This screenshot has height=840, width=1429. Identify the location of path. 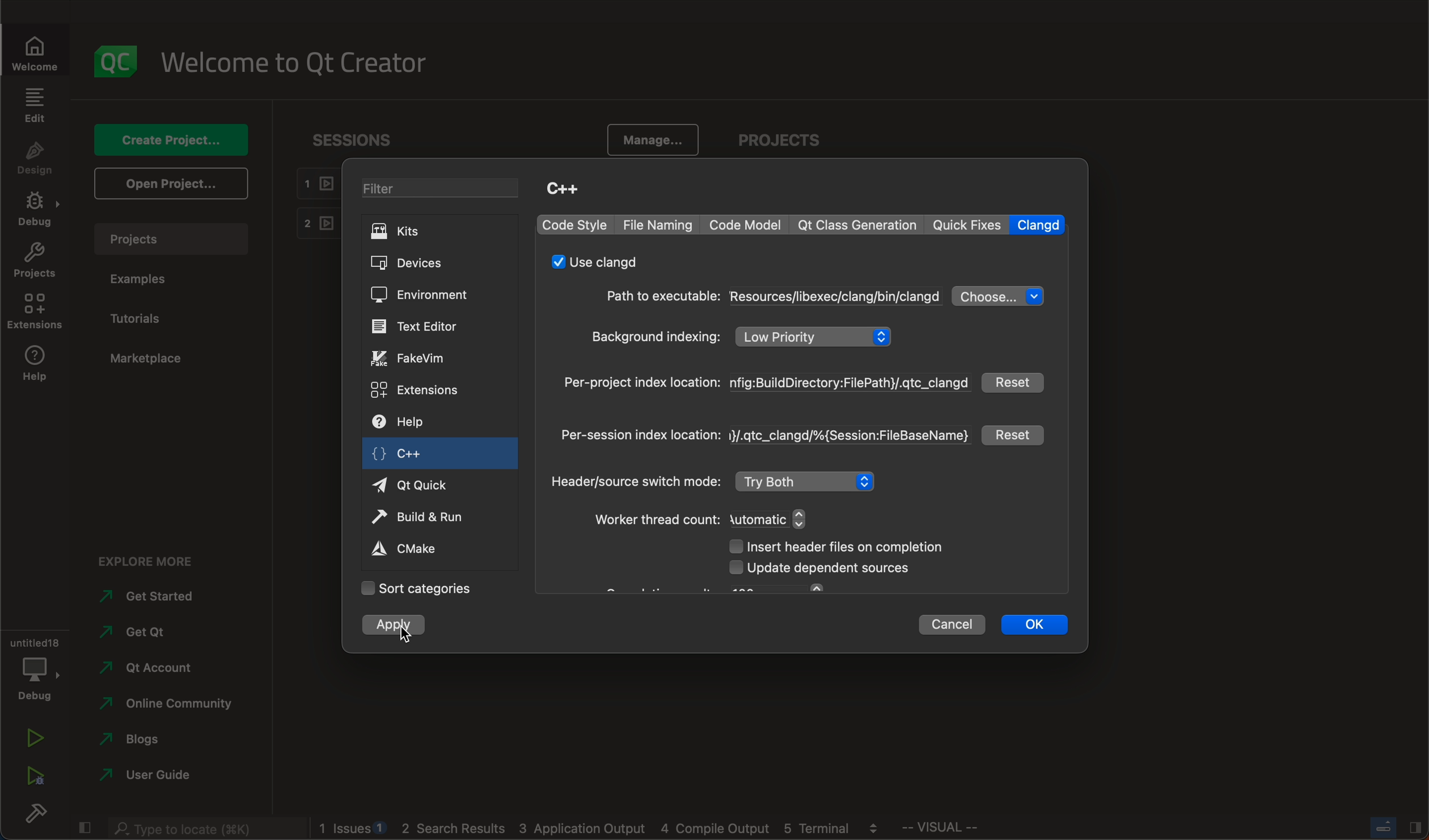
(772, 297).